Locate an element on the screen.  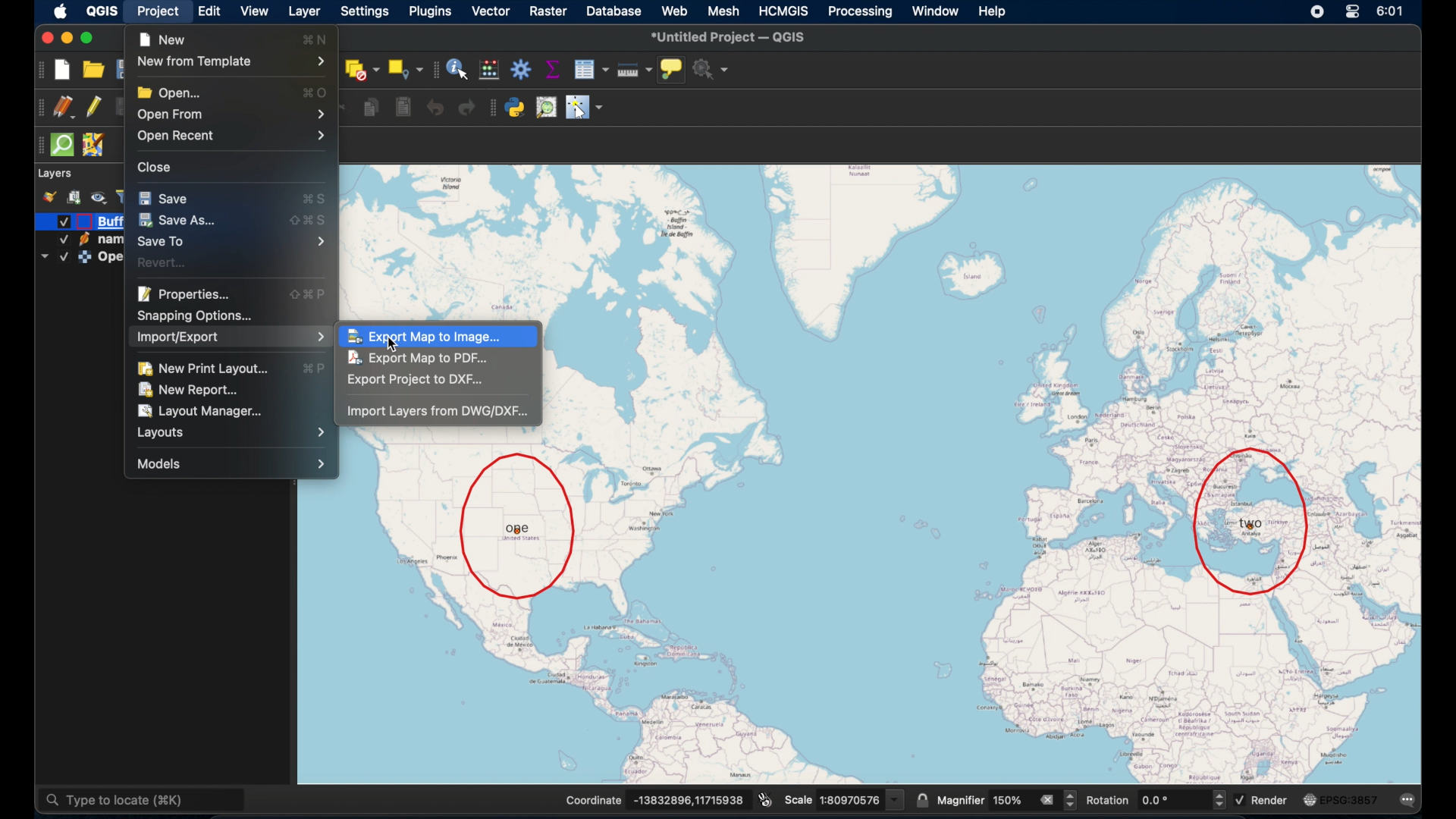
layout manager is located at coordinates (203, 411).